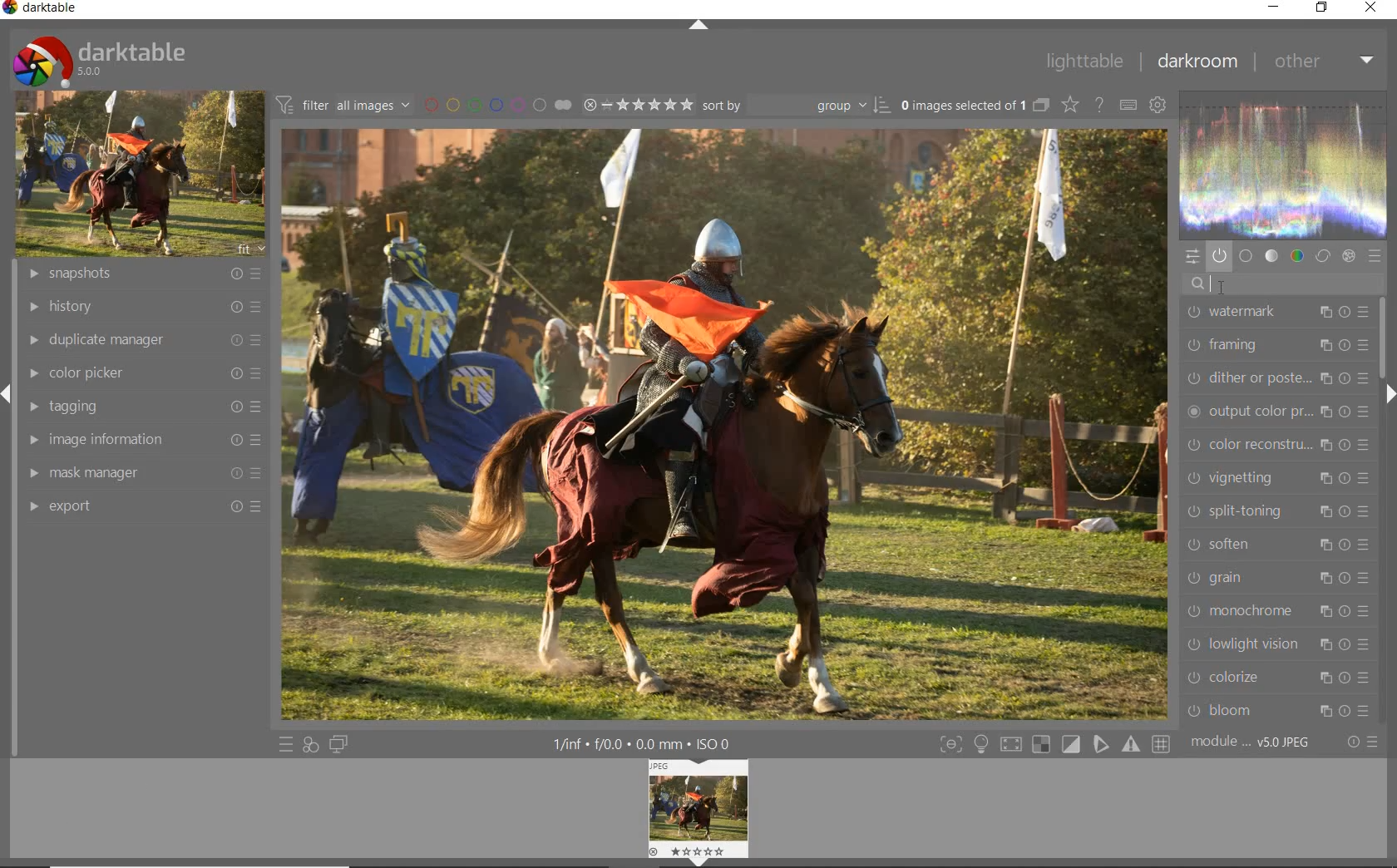  What do you see at coordinates (1279, 643) in the screenshot?
I see `lowlight vision` at bounding box center [1279, 643].